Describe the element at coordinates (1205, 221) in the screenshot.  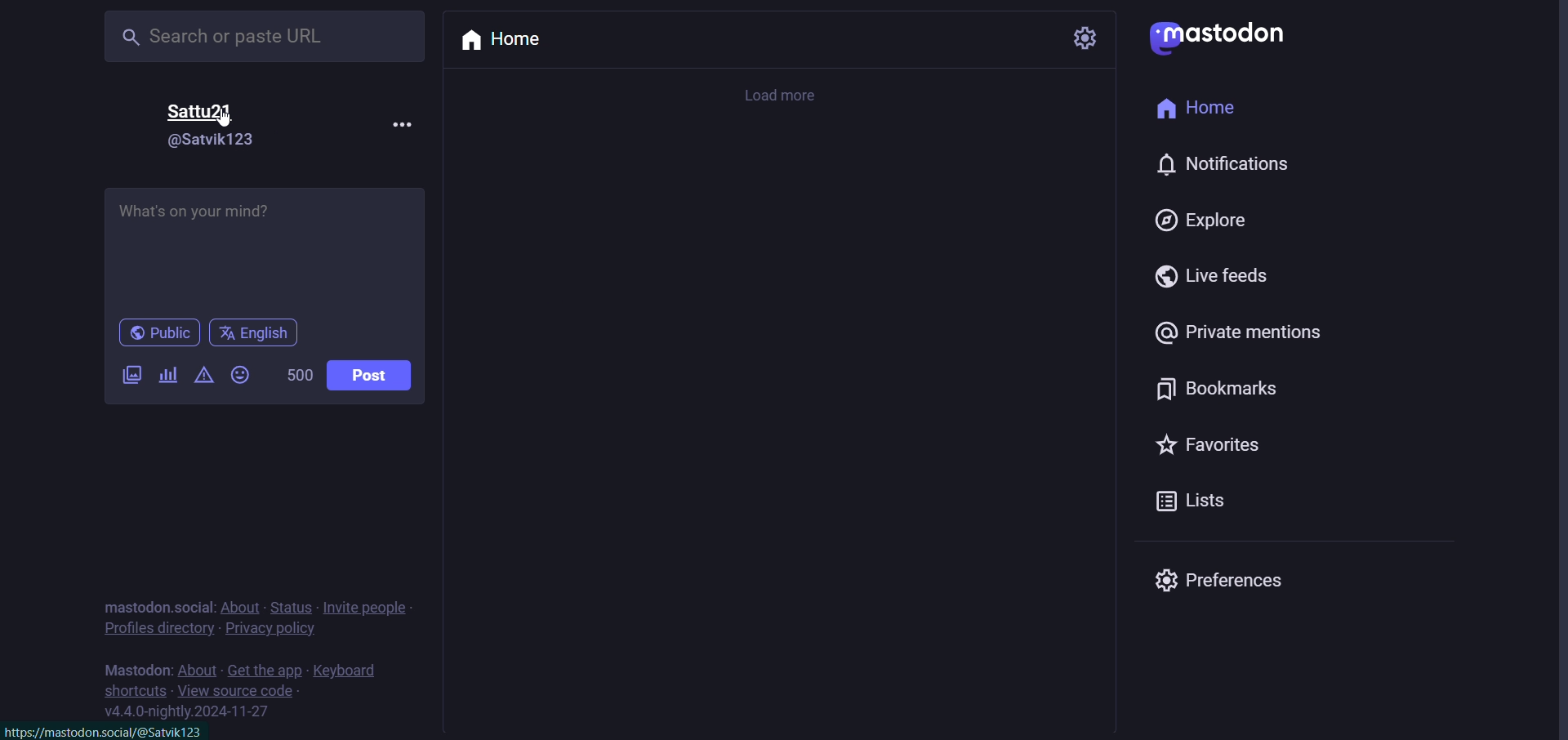
I see `explore` at that location.